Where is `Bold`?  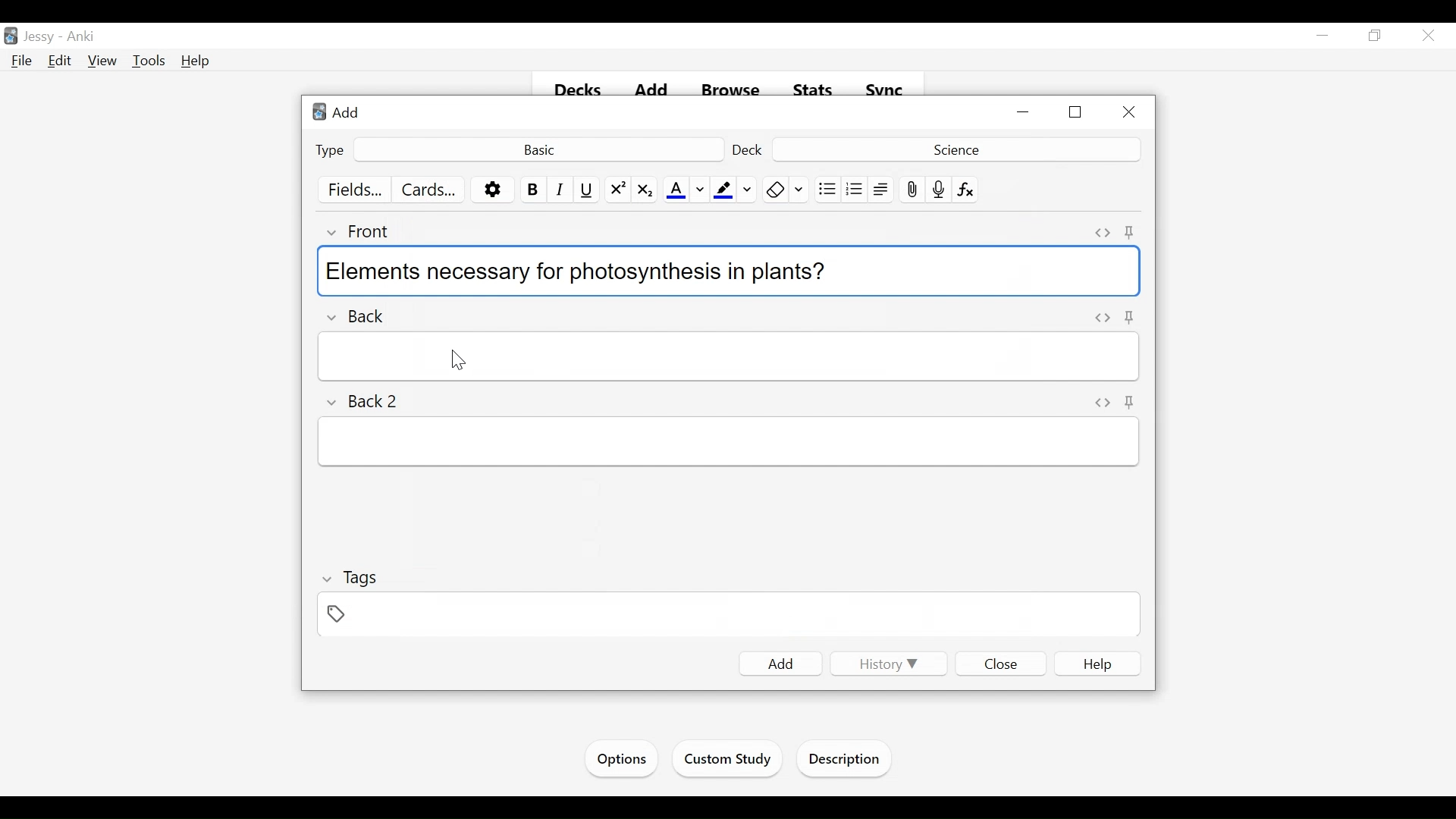 Bold is located at coordinates (532, 190).